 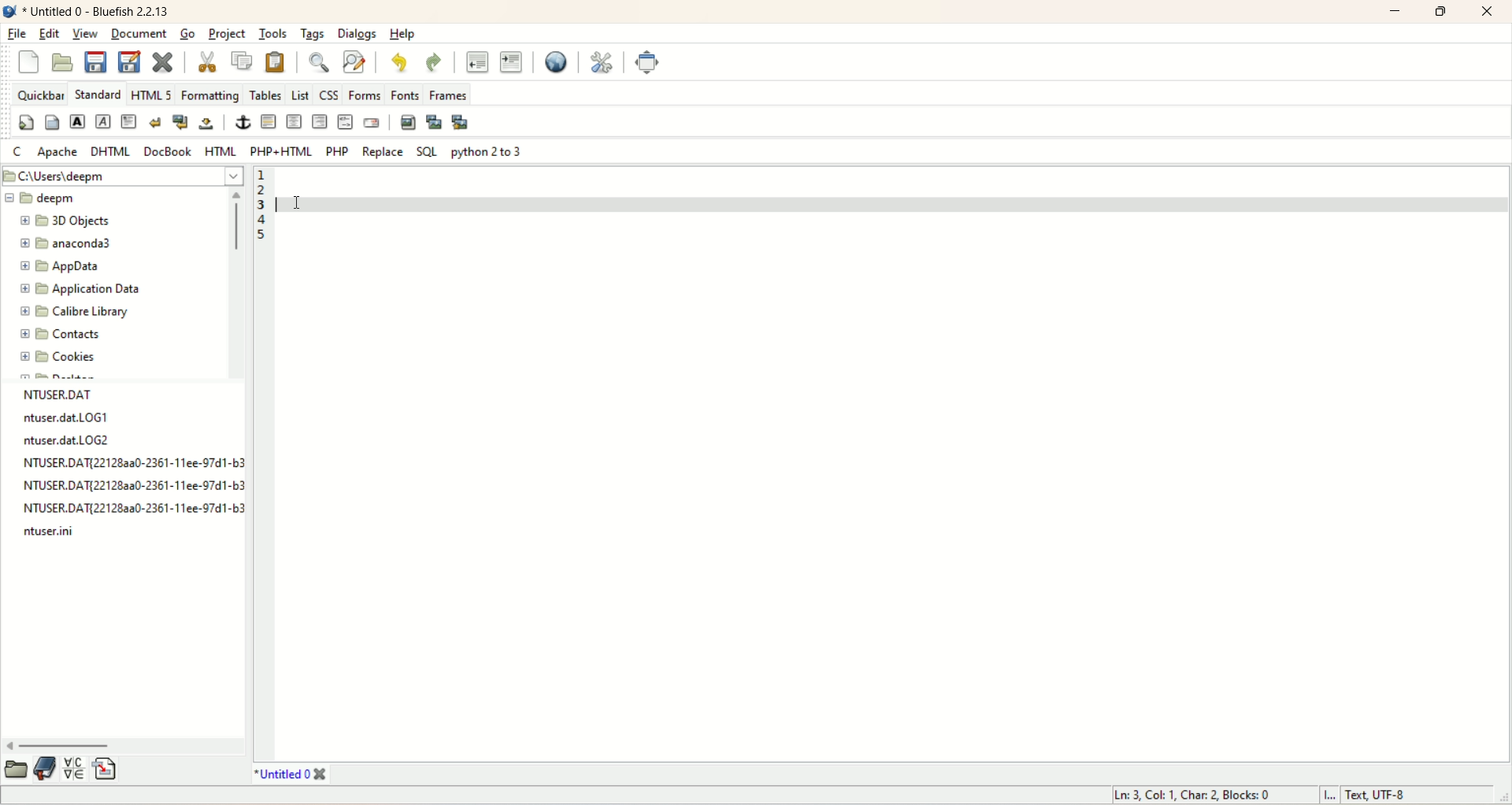 I want to click on documentation, so click(x=44, y=771).